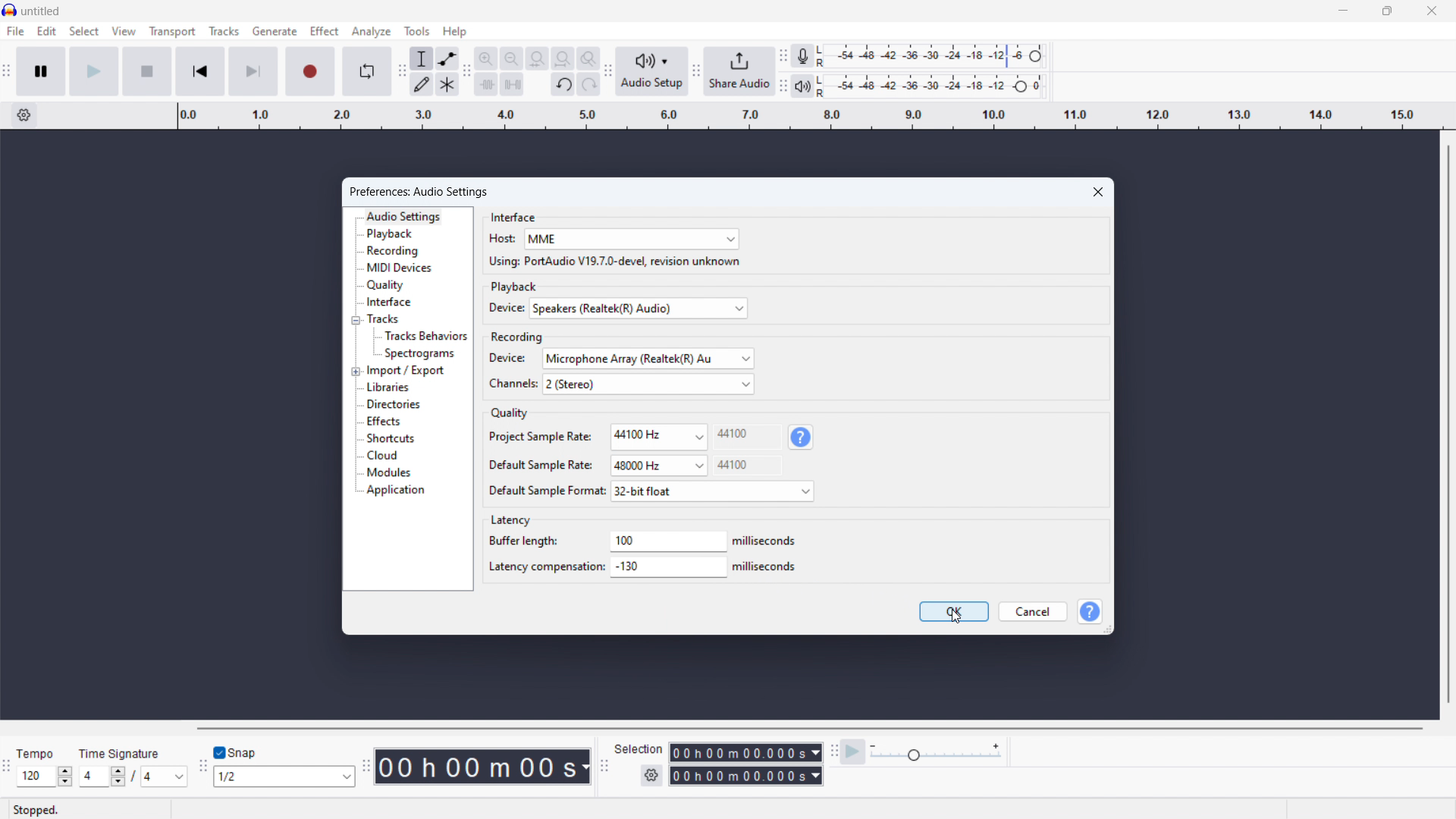 This screenshot has height=819, width=1456. Describe the element at coordinates (394, 404) in the screenshot. I see `directories` at that location.